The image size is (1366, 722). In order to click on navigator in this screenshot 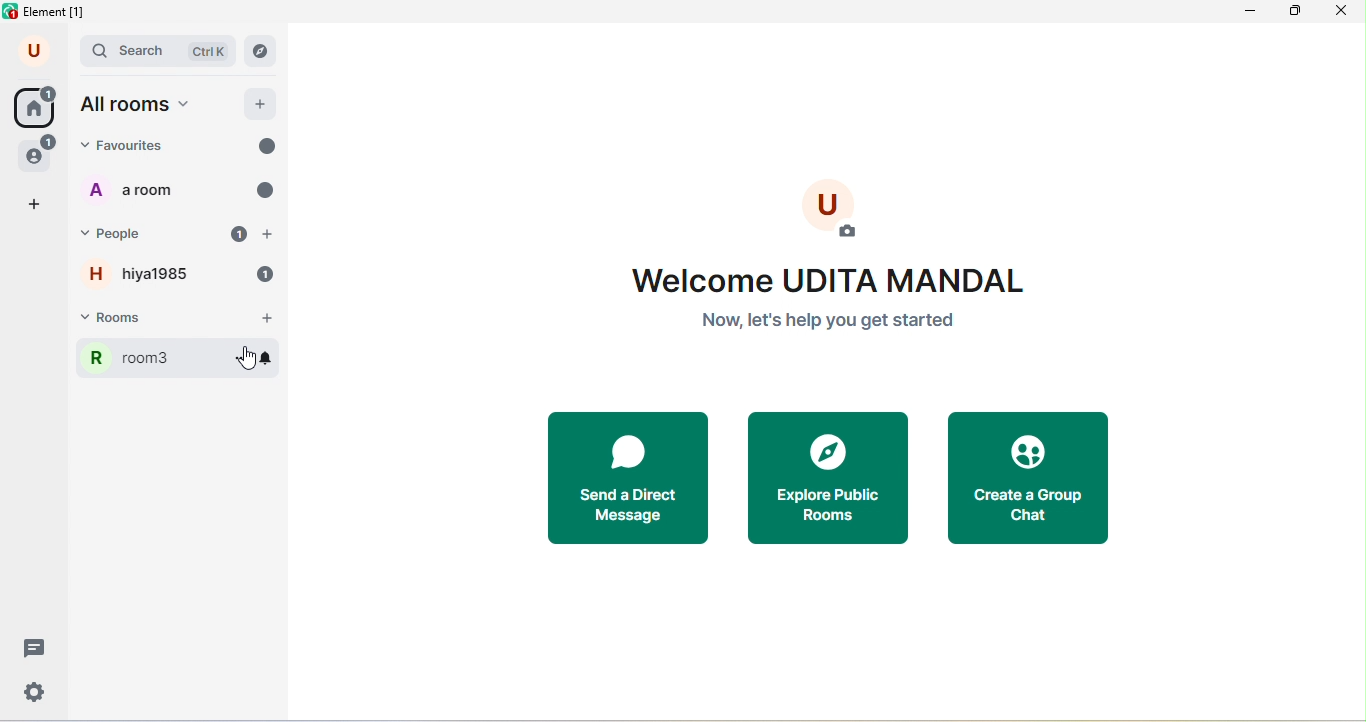, I will do `click(260, 51)`.